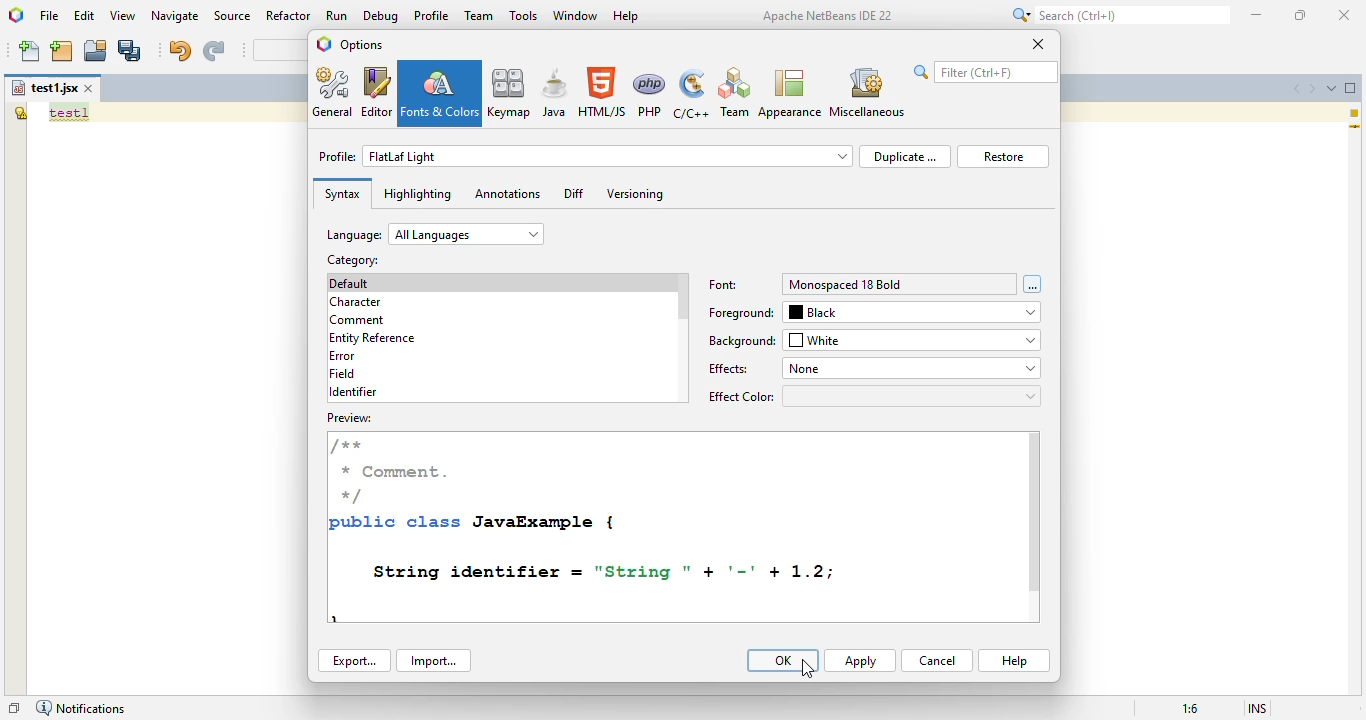 This screenshot has height=720, width=1366. What do you see at coordinates (862, 660) in the screenshot?
I see `apply` at bounding box center [862, 660].